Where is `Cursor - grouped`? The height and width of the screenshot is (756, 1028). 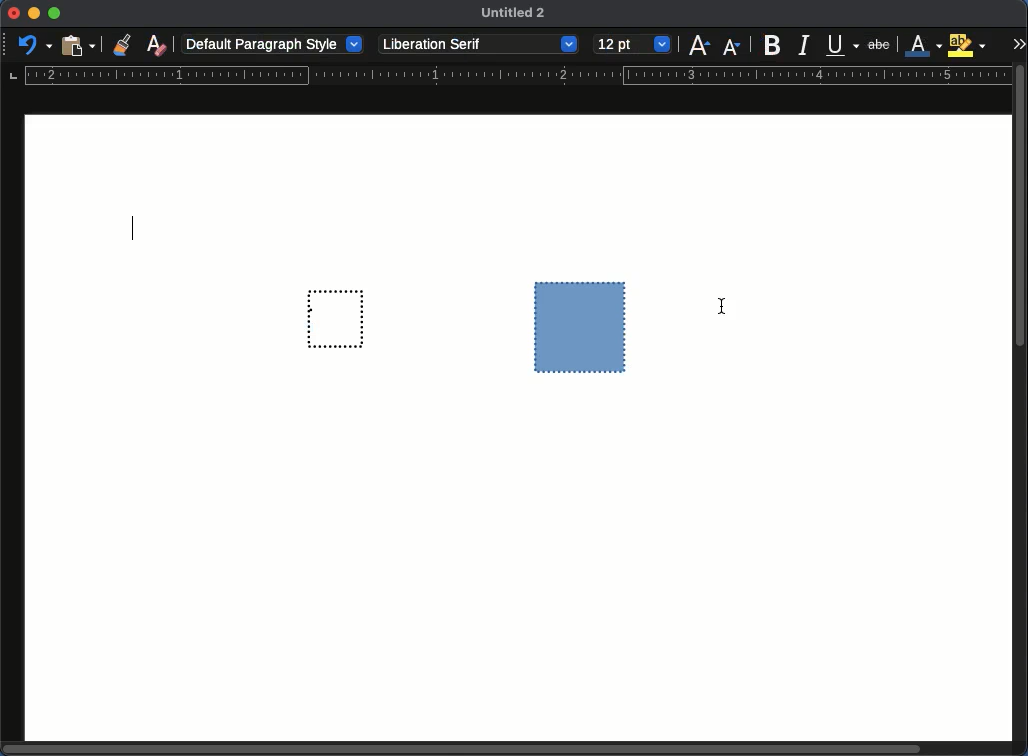 Cursor - grouped is located at coordinates (729, 308).